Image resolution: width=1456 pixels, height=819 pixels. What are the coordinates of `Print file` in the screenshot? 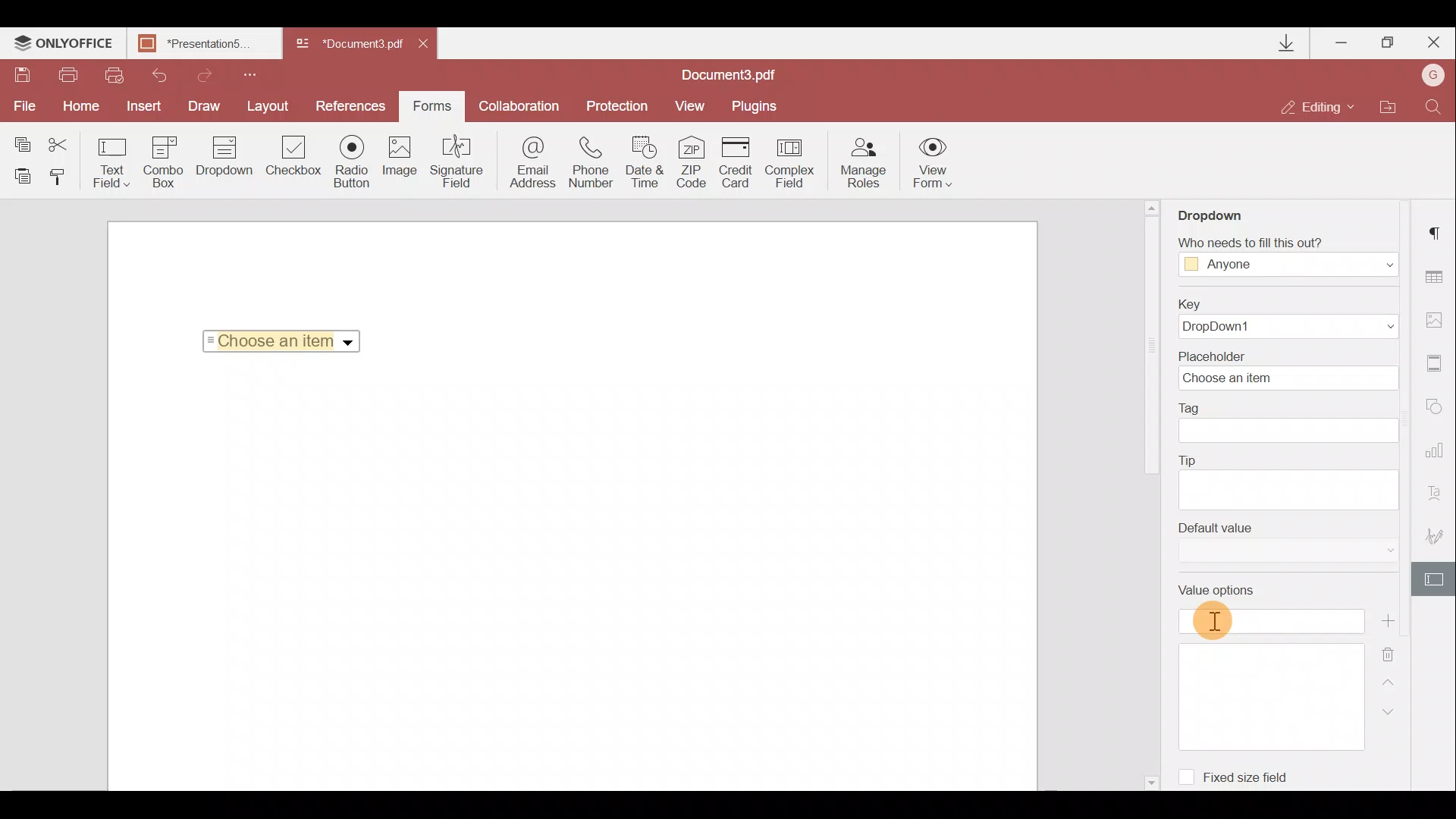 It's located at (70, 76).